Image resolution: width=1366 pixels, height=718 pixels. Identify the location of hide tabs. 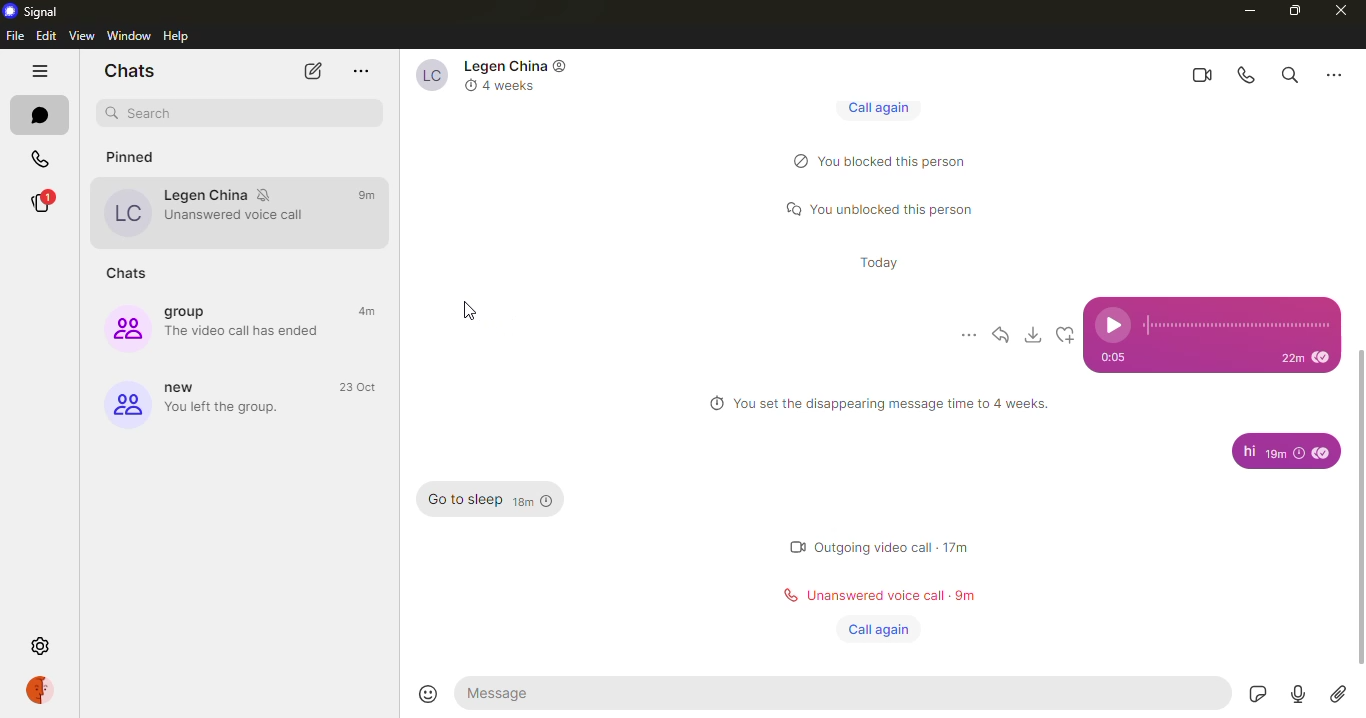
(34, 73).